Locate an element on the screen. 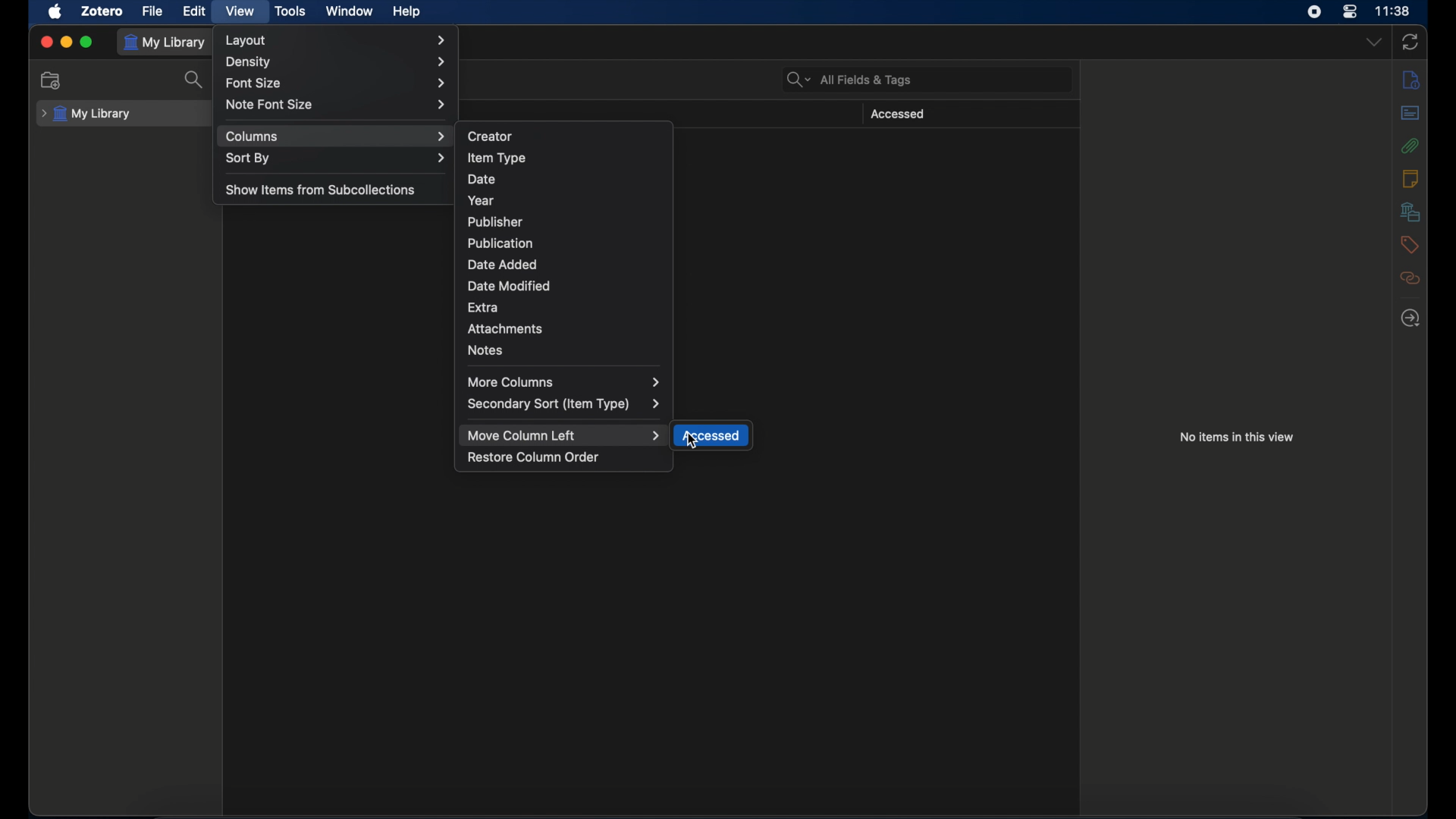 The height and width of the screenshot is (819, 1456). publication is located at coordinates (500, 243).